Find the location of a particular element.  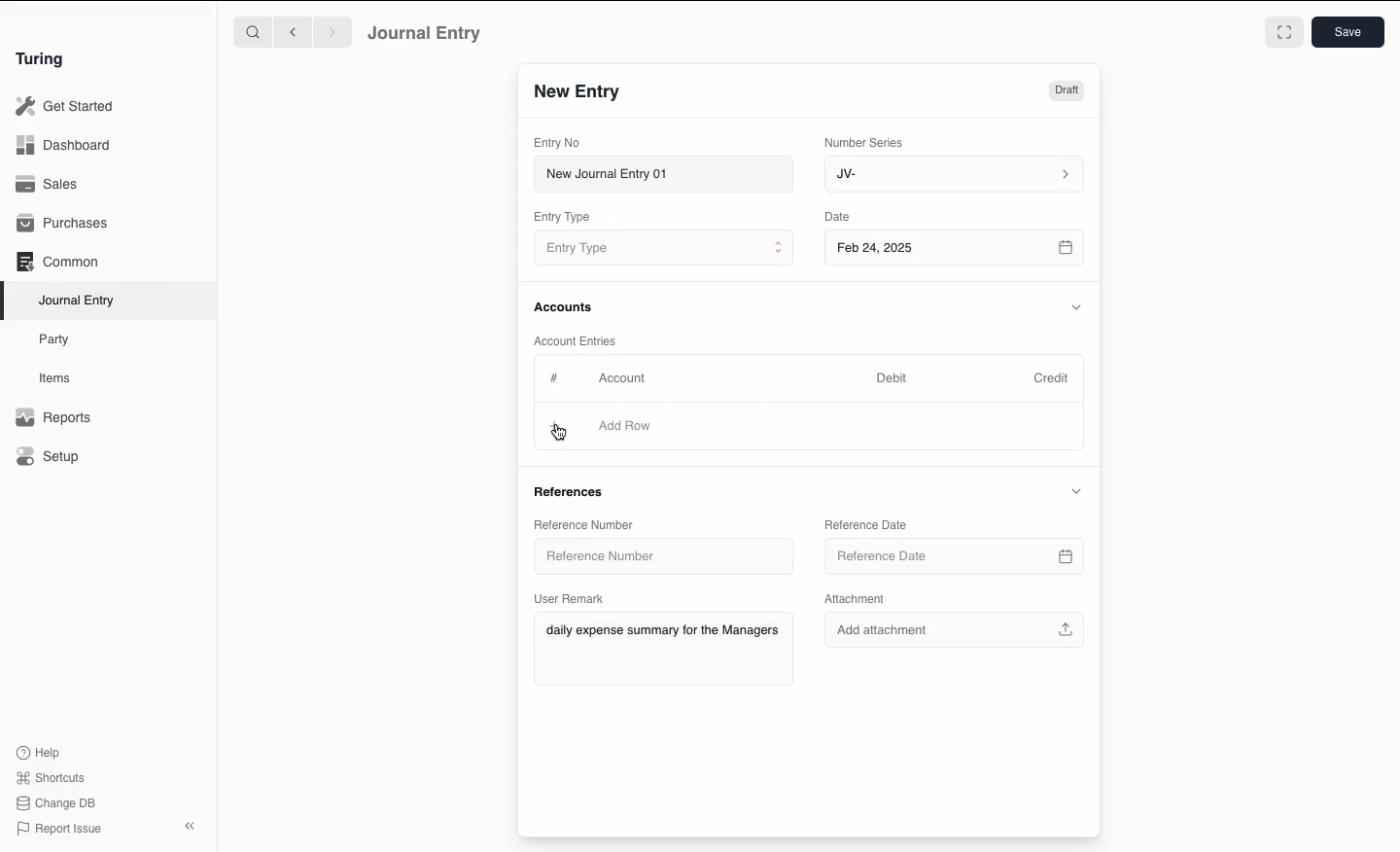

Reports is located at coordinates (53, 417).